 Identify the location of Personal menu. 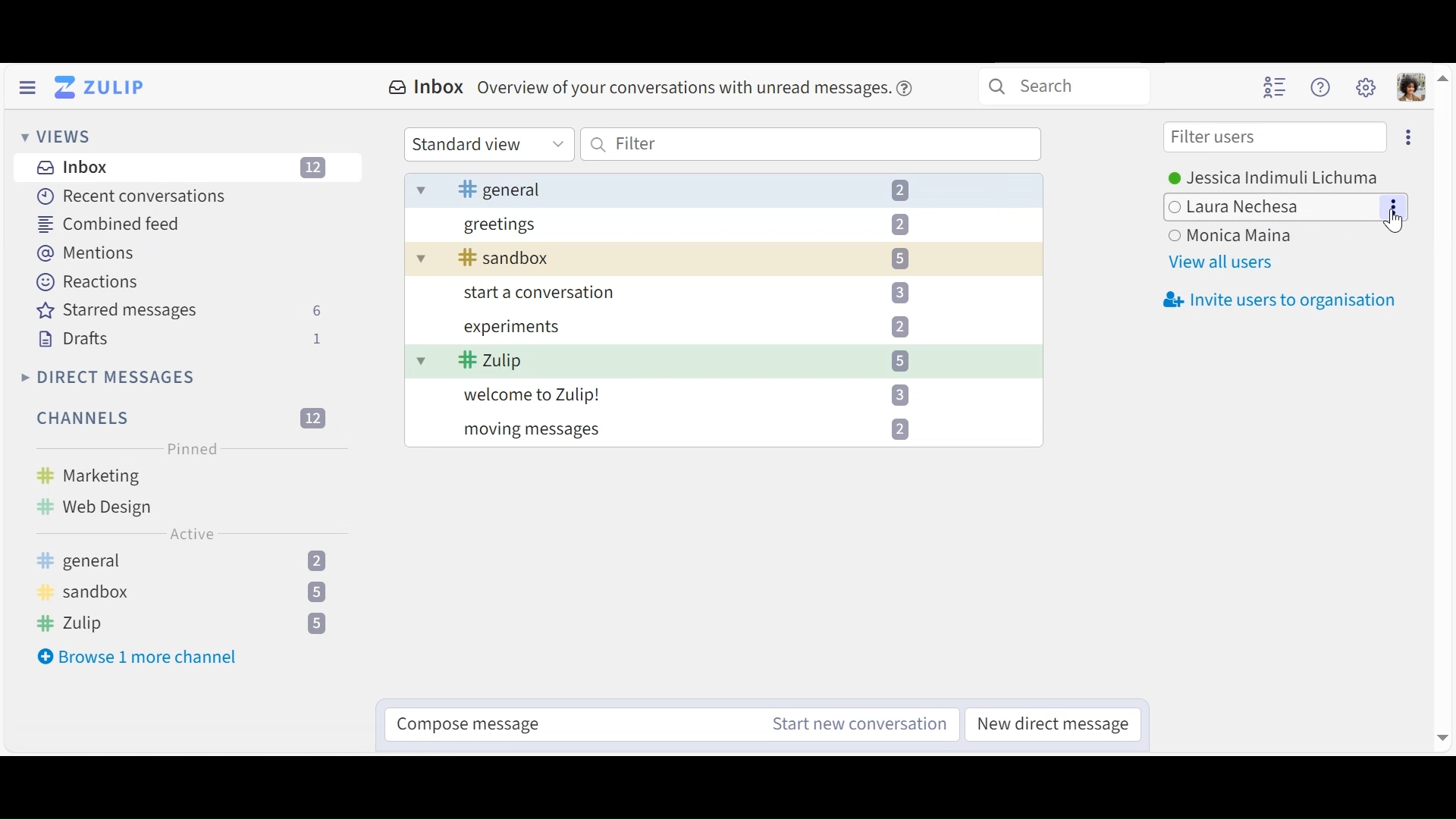
(1412, 86).